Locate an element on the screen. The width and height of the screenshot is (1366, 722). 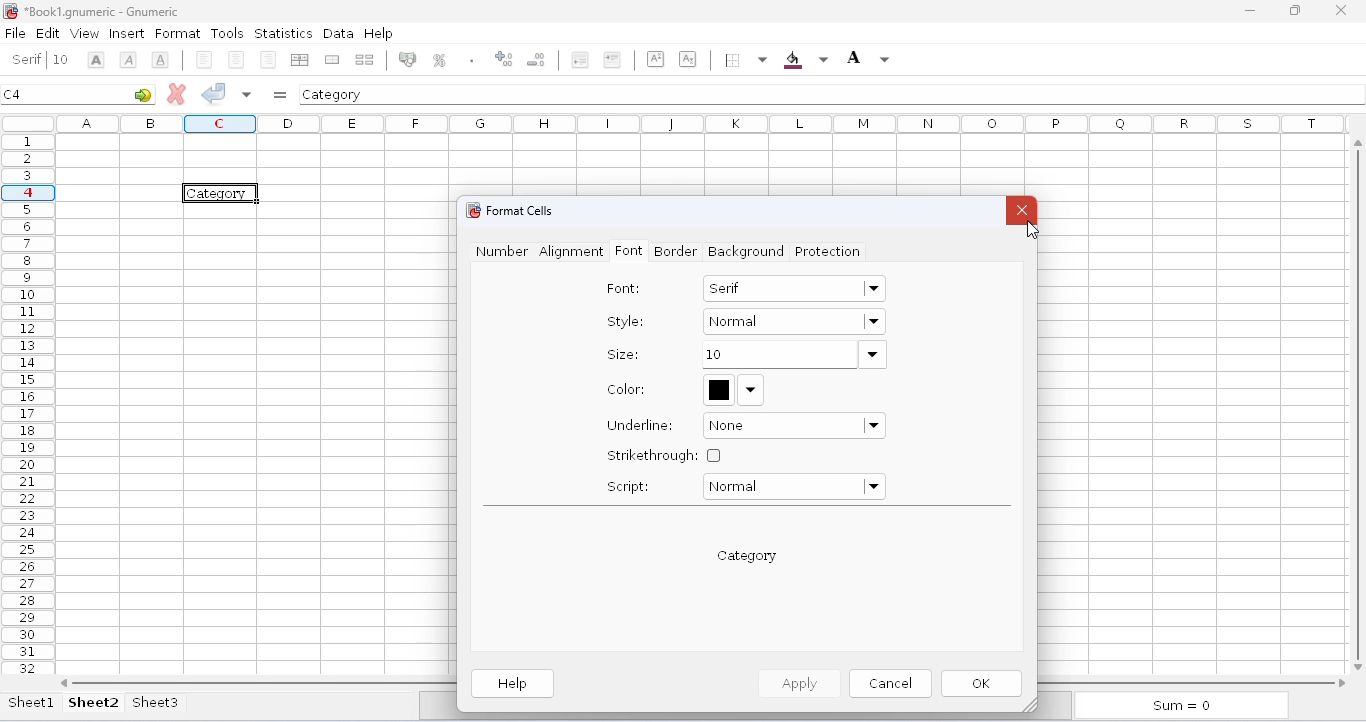
Font is located at coordinates (629, 254).